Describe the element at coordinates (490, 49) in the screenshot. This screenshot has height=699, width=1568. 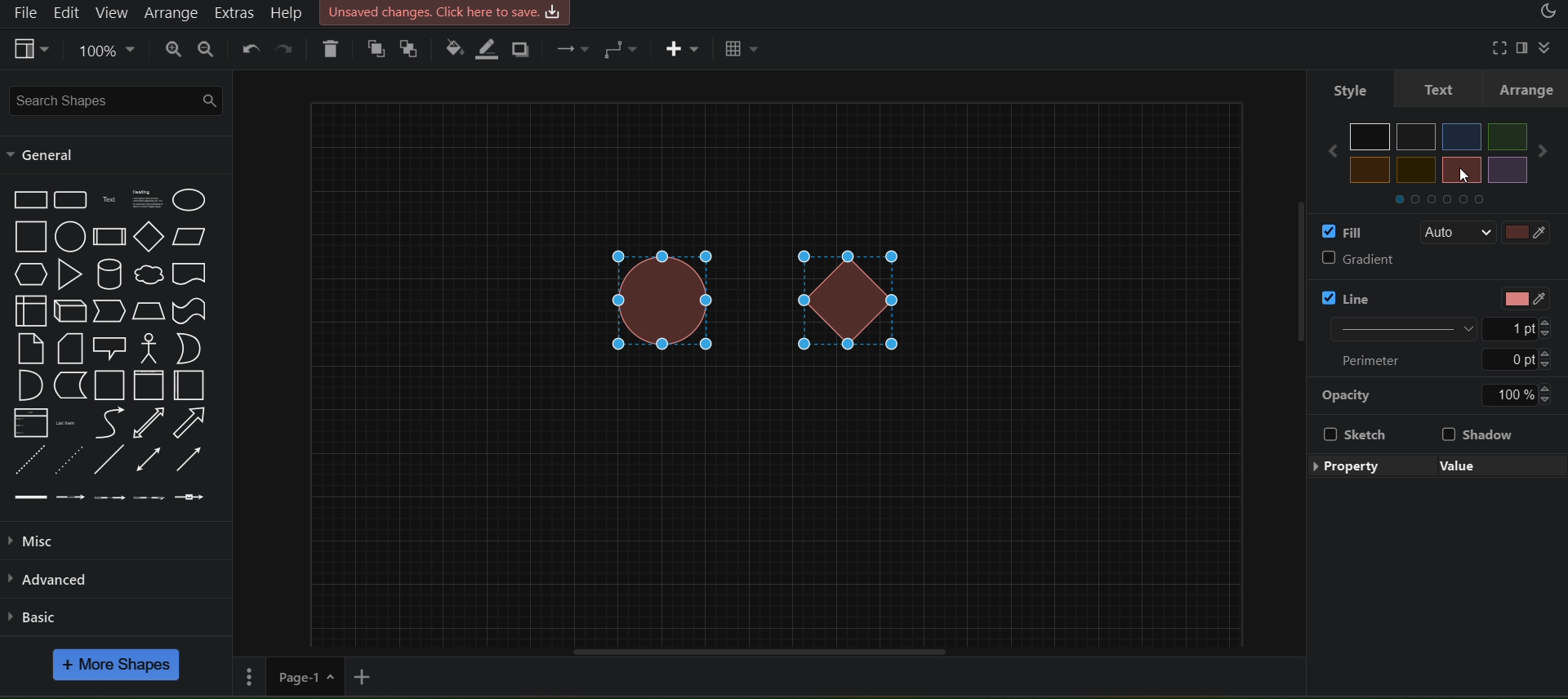
I see `line color` at that location.